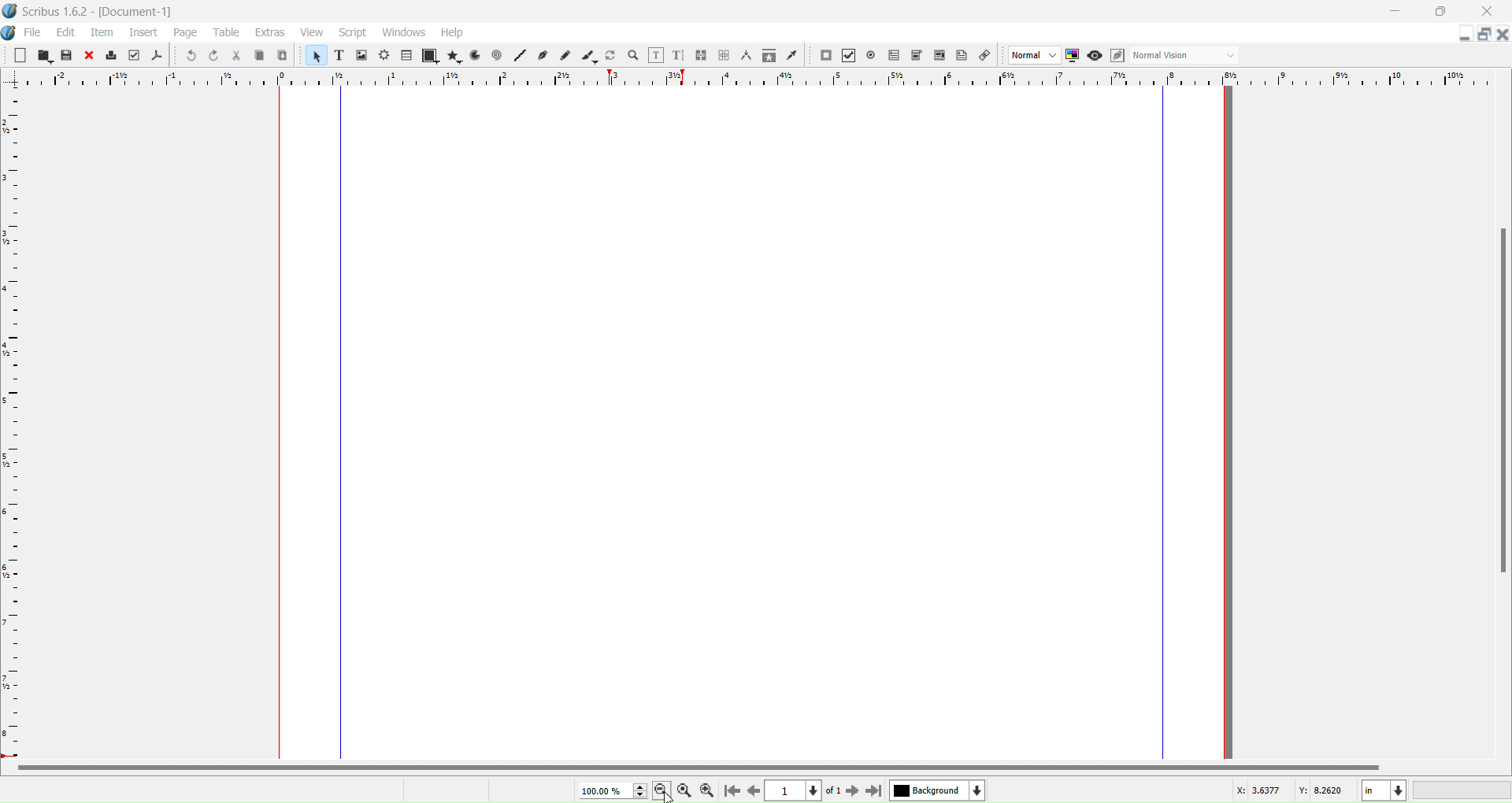  What do you see at coordinates (404, 32) in the screenshot?
I see `Windows` at bounding box center [404, 32].